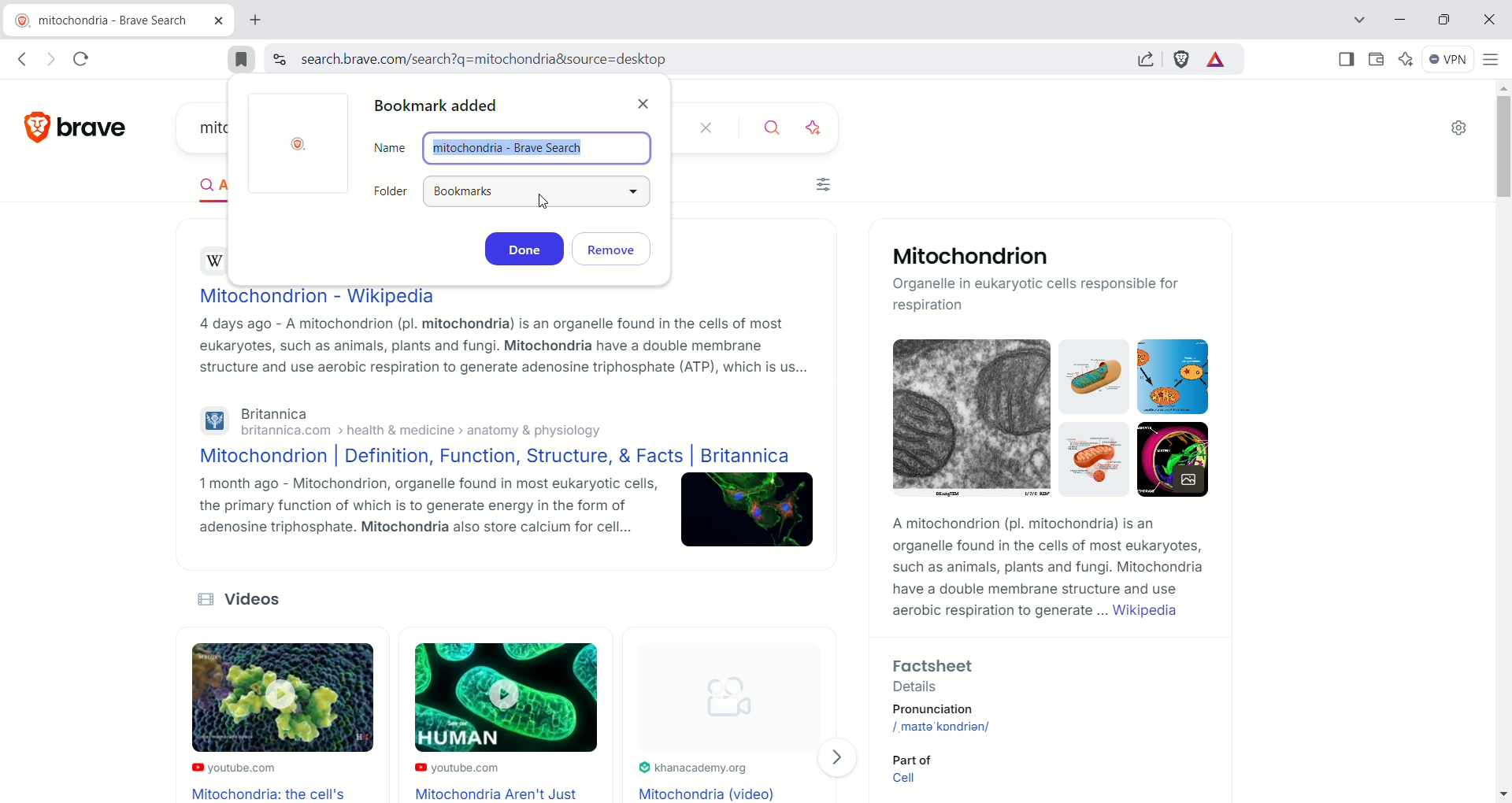 This screenshot has height=803, width=1512. What do you see at coordinates (95, 124) in the screenshot?
I see `brave` at bounding box center [95, 124].